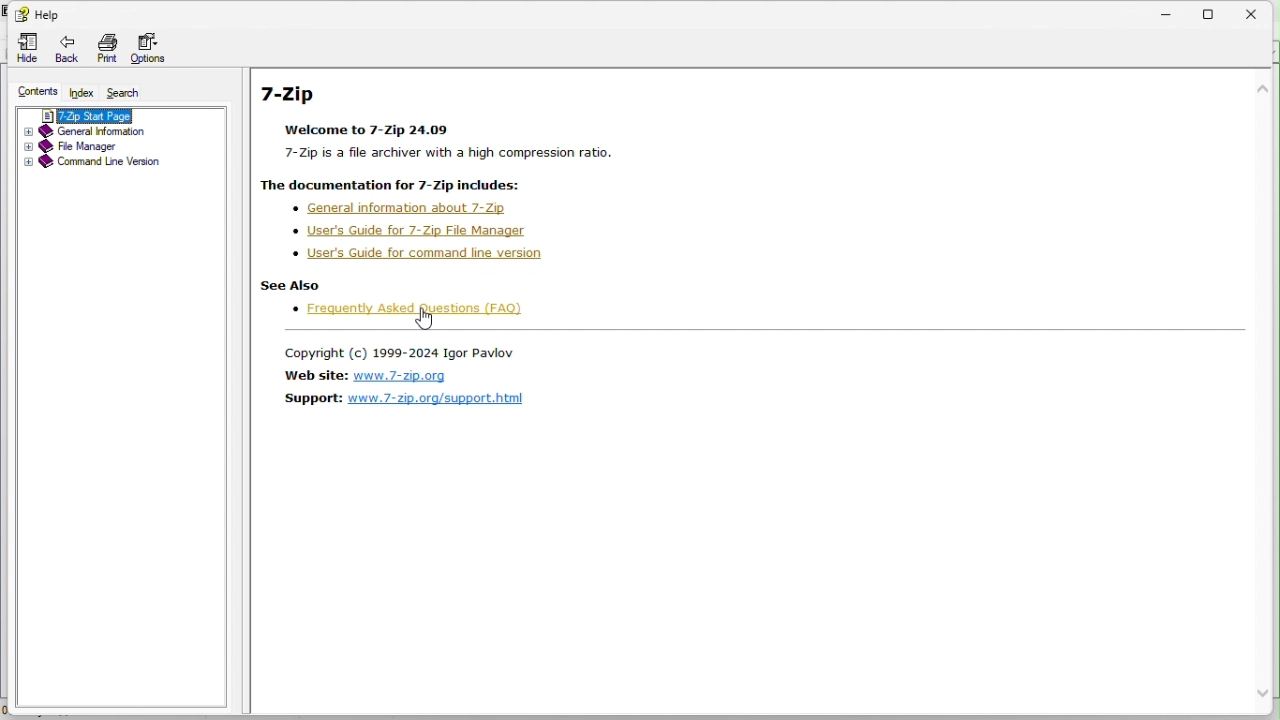 This screenshot has width=1280, height=720. I want to click on 7-Zip

Welcome to 7-Zip 24.09

7-Zip is a file archiver with a high compression ratio.
The documentation for 7-Zip includes:, so click(431, 134).